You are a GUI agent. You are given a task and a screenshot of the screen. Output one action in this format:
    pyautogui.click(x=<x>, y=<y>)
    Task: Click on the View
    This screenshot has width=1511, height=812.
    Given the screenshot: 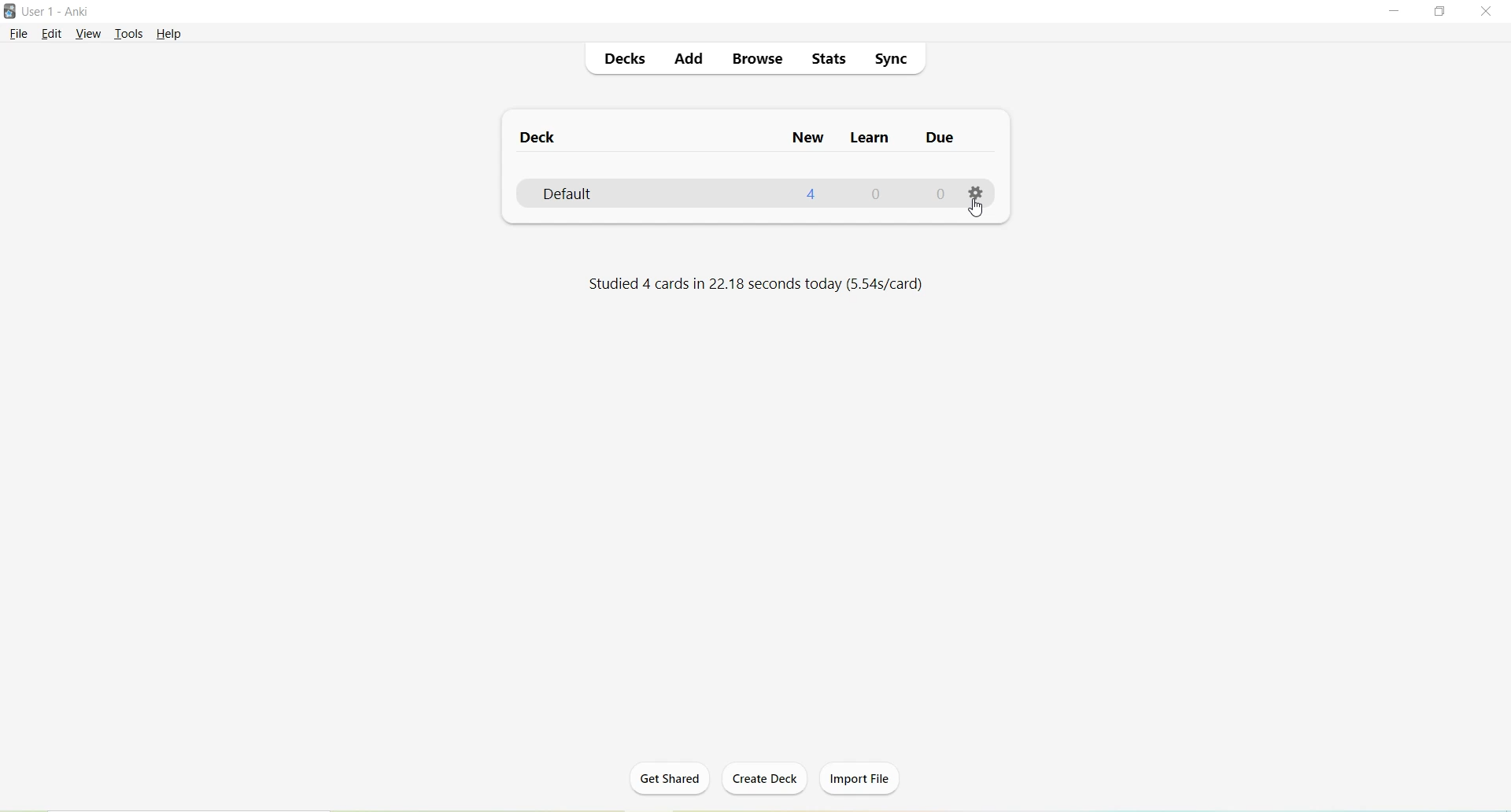 What is the action you would take?
    pyautogui.click(x=91, y=33)
    